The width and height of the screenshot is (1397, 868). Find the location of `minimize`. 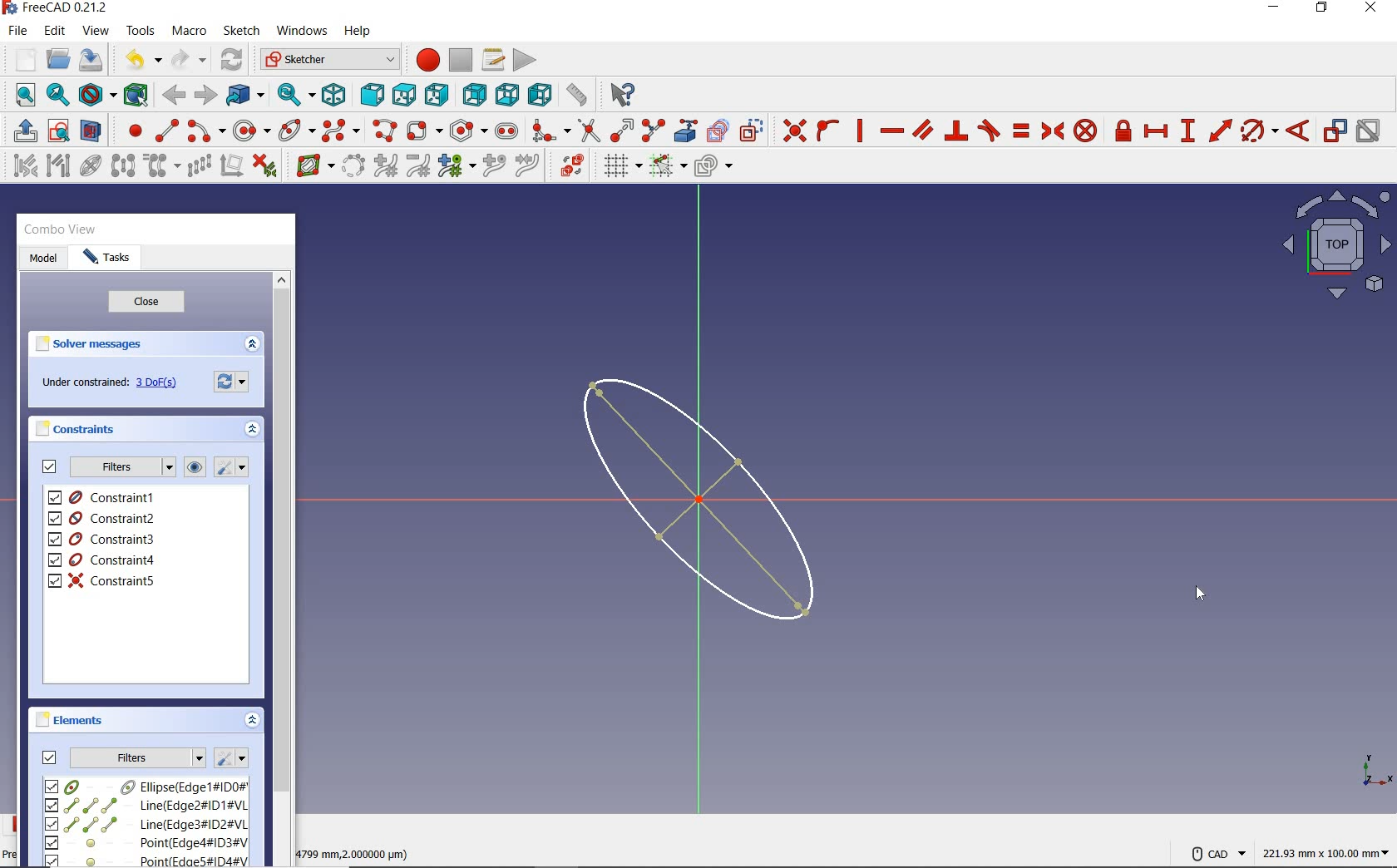

minimize is located at coordinates (1273, 7).